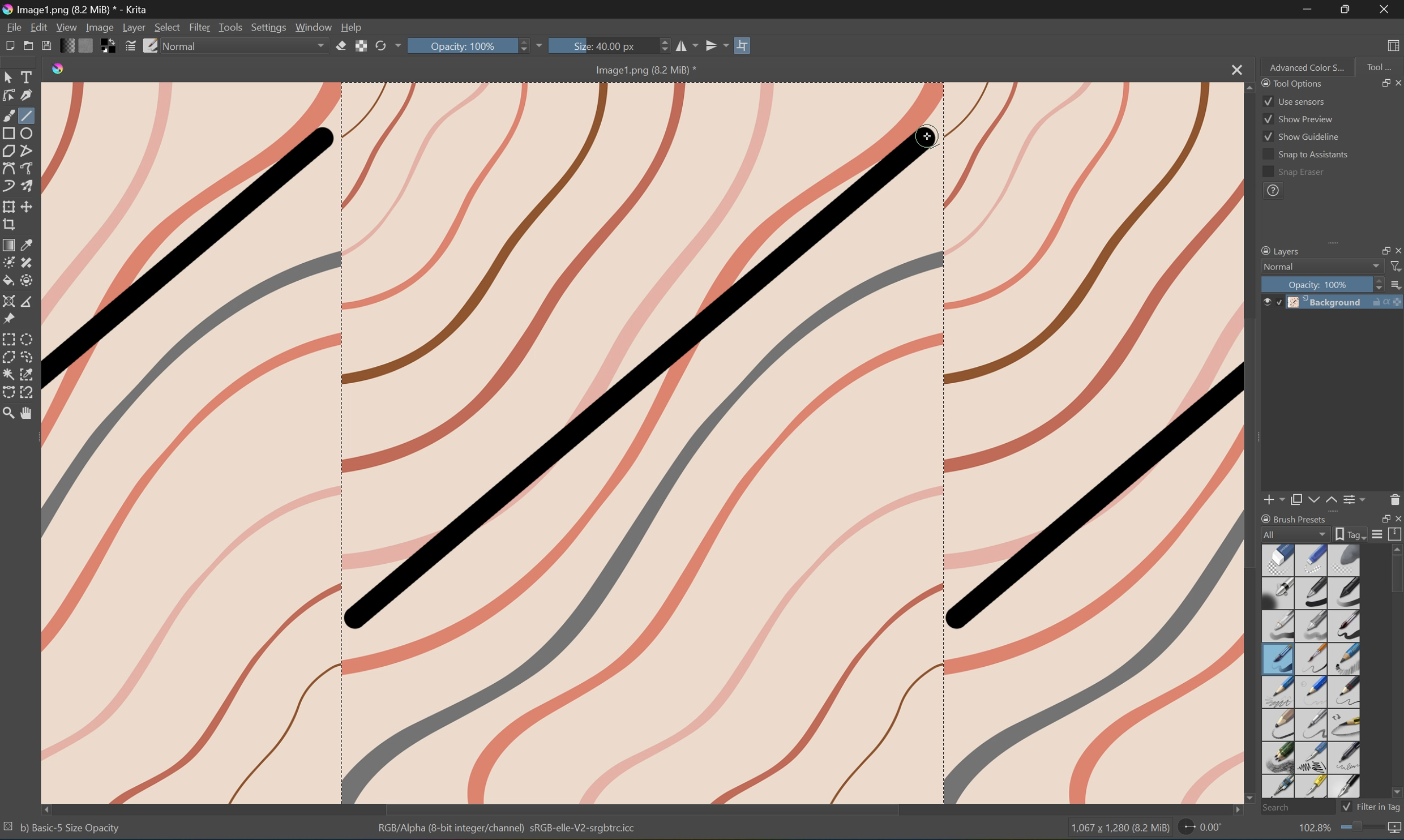  Describe the element at coordinates (1395, 499) in the screenshot. I see `Delete` at that location.